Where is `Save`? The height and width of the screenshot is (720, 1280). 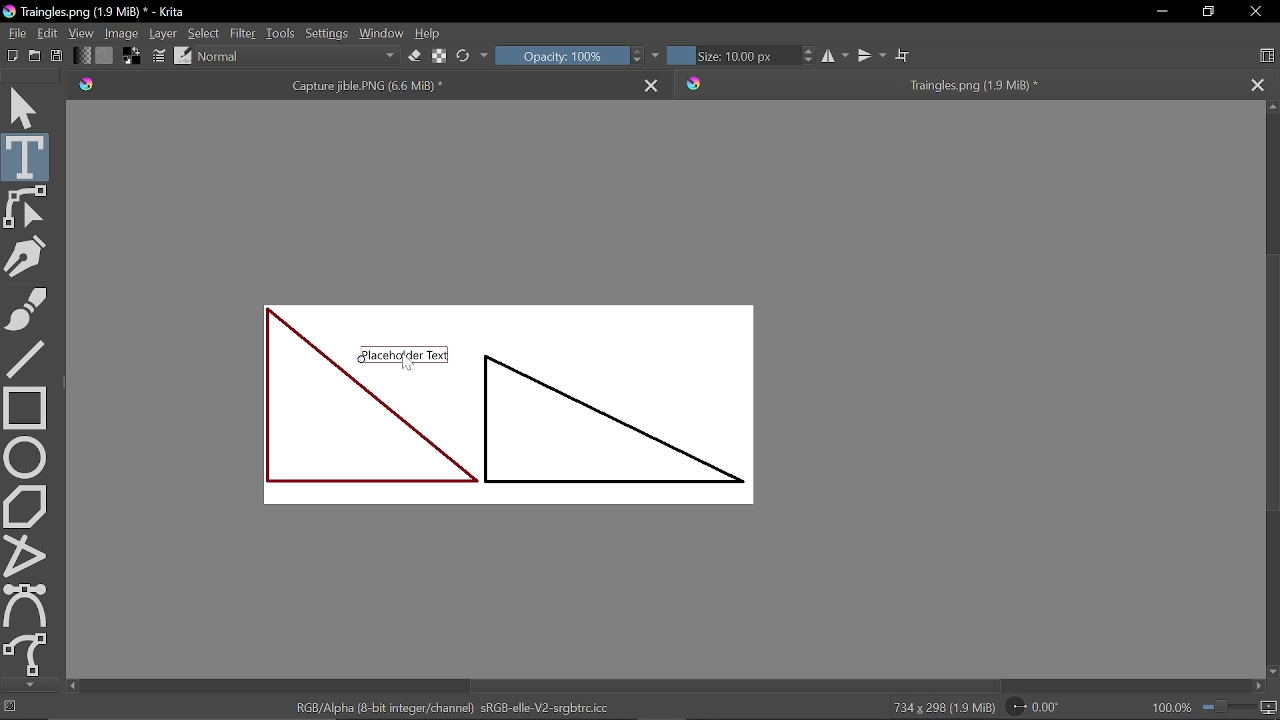
Save is located at coordinates (57, 54).